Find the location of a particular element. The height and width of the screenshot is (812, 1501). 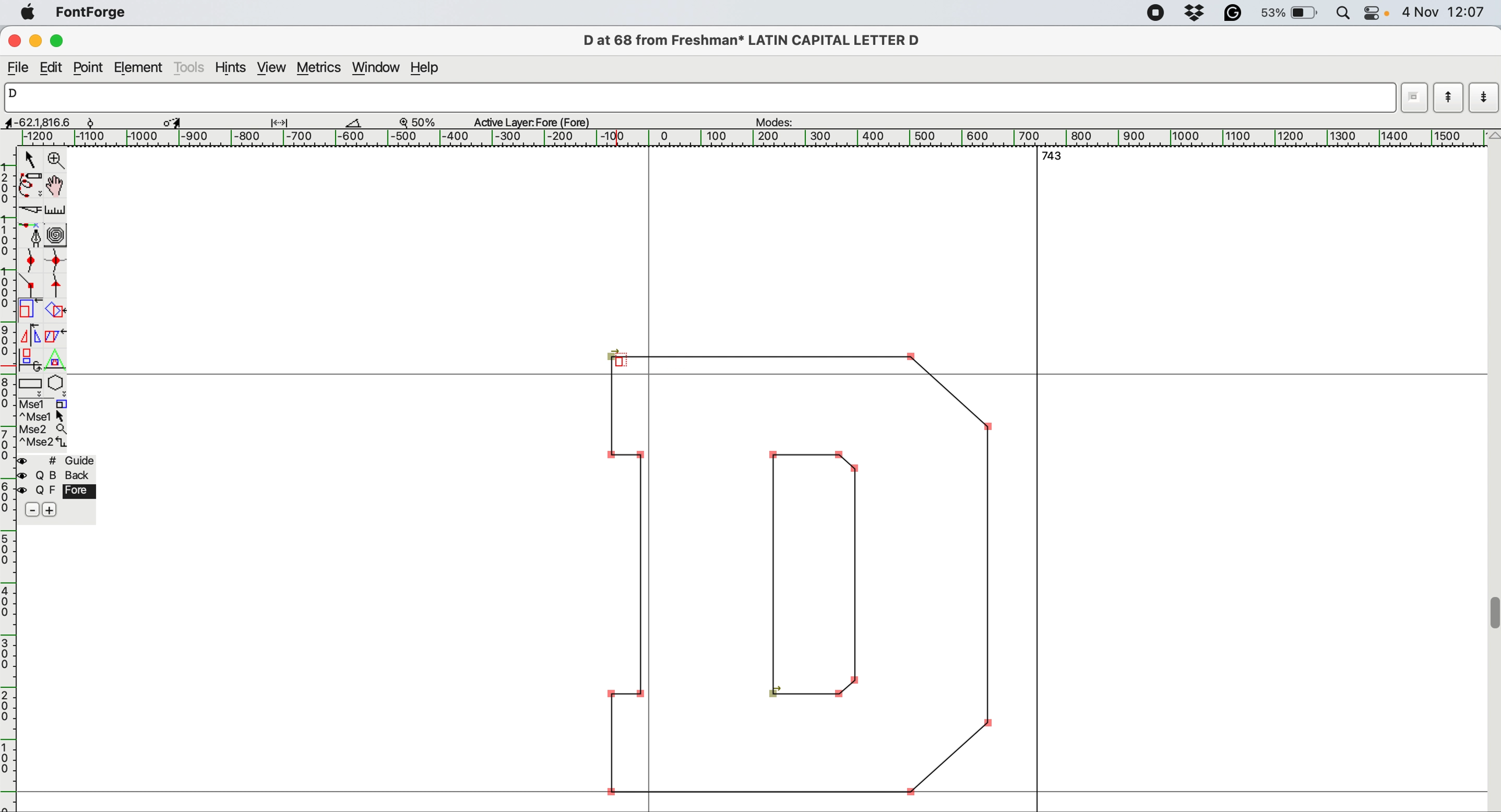

Q B back is located at coordinates (60, 476).